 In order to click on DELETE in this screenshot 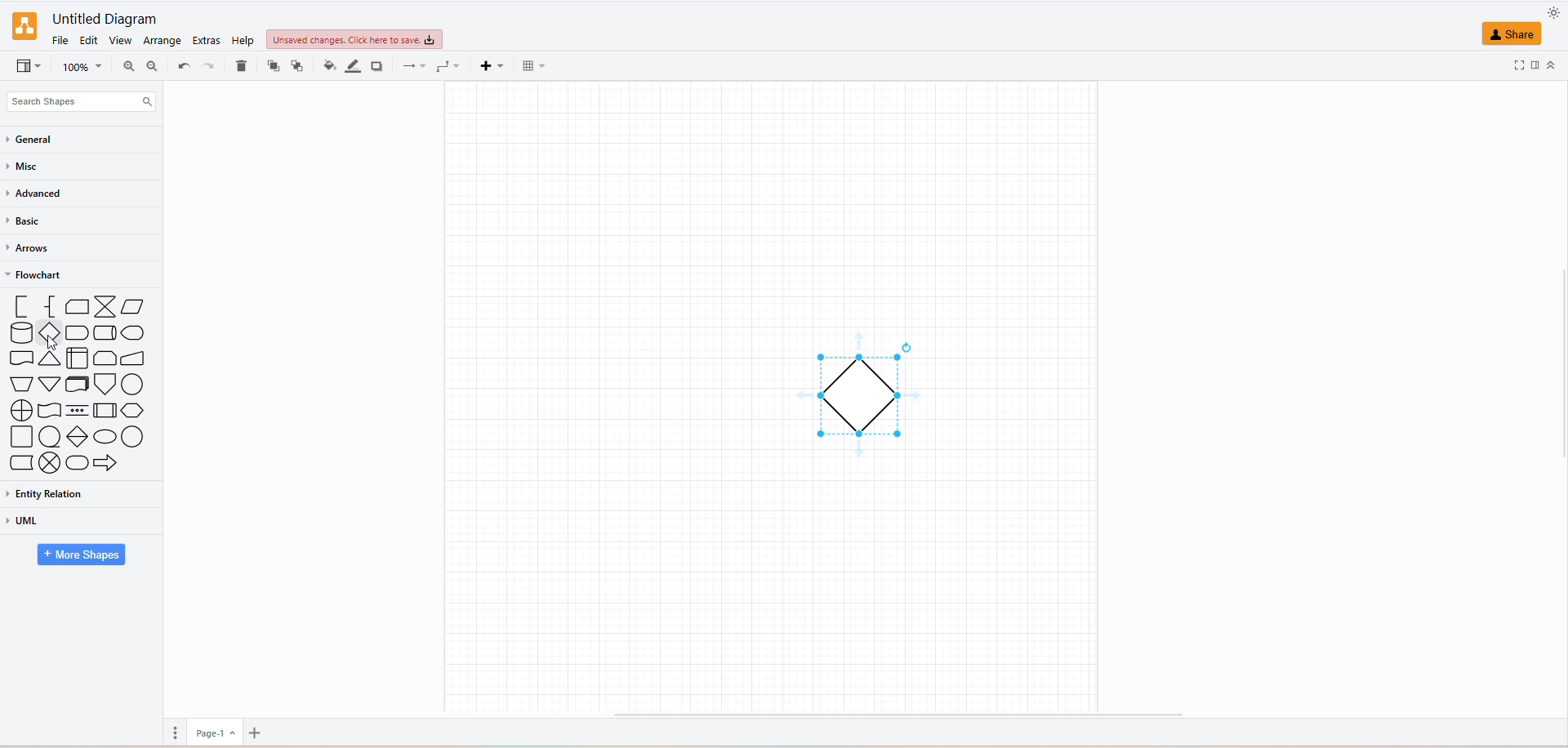, I will do `click(241, 68)`.